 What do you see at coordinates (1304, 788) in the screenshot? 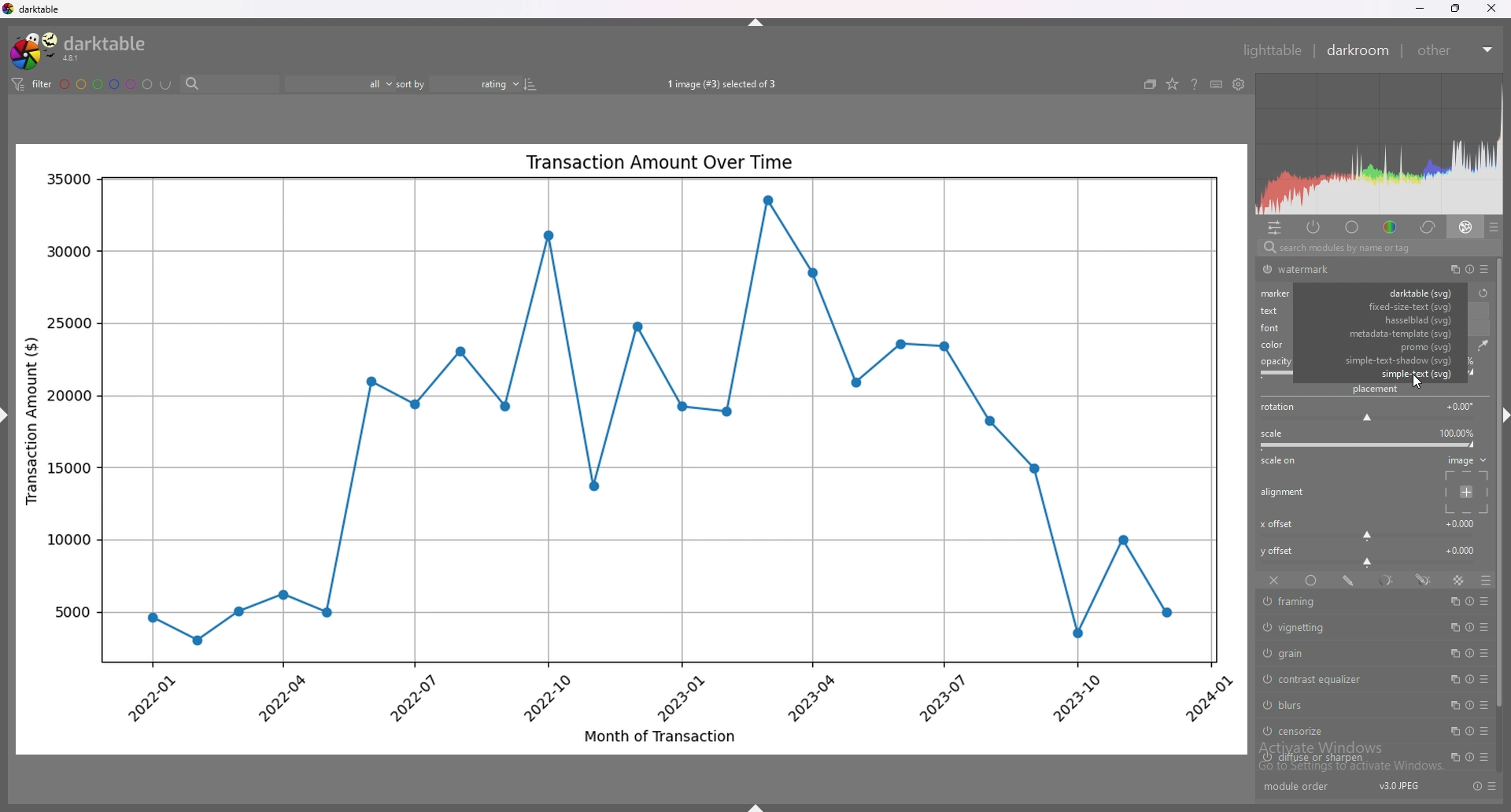
I see `module order` at bounding box center [1304, 788].